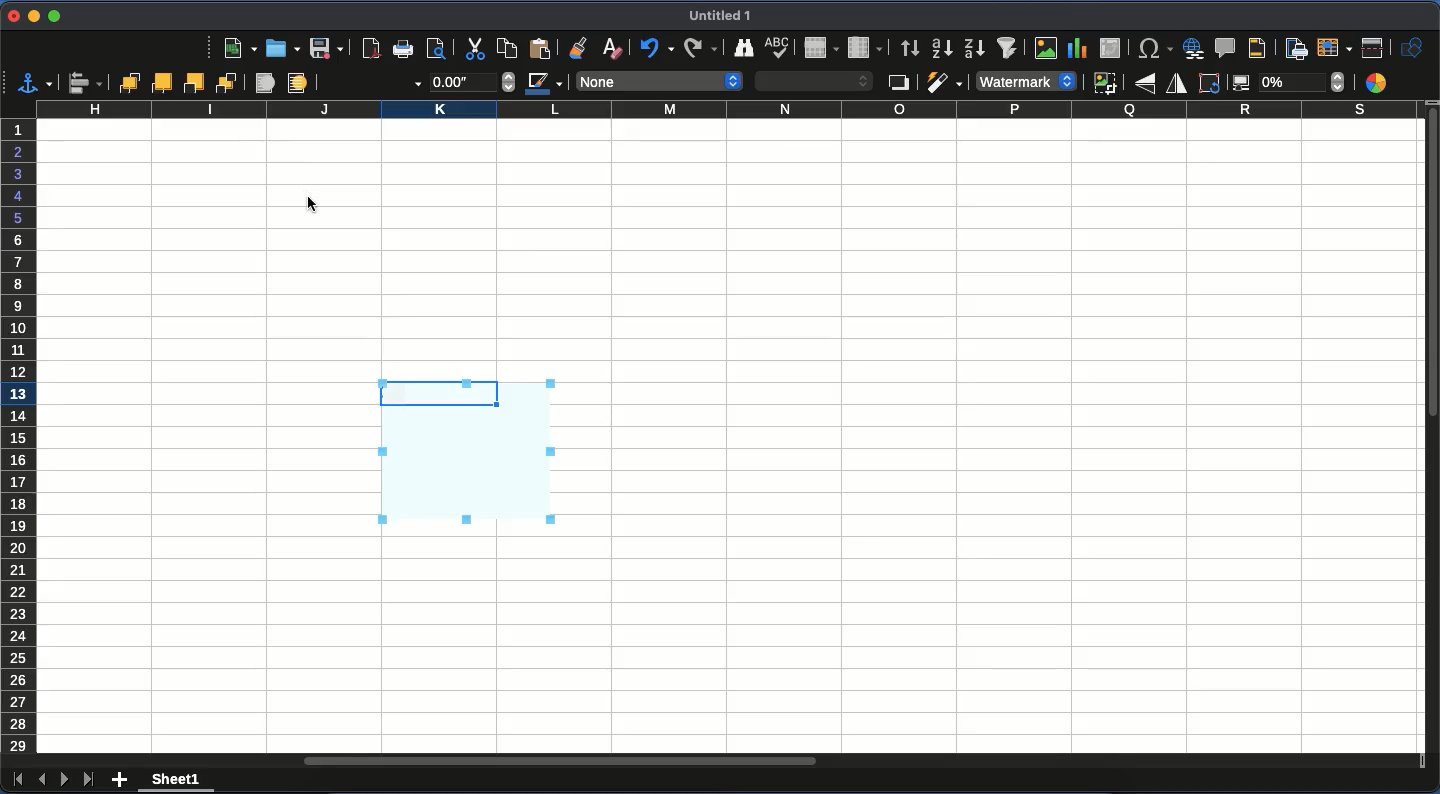 This screenshot has height=794, width=1440. Describe the element at coordinates (1263, 47) in the screenshot. I see `headers and footers` at that location.